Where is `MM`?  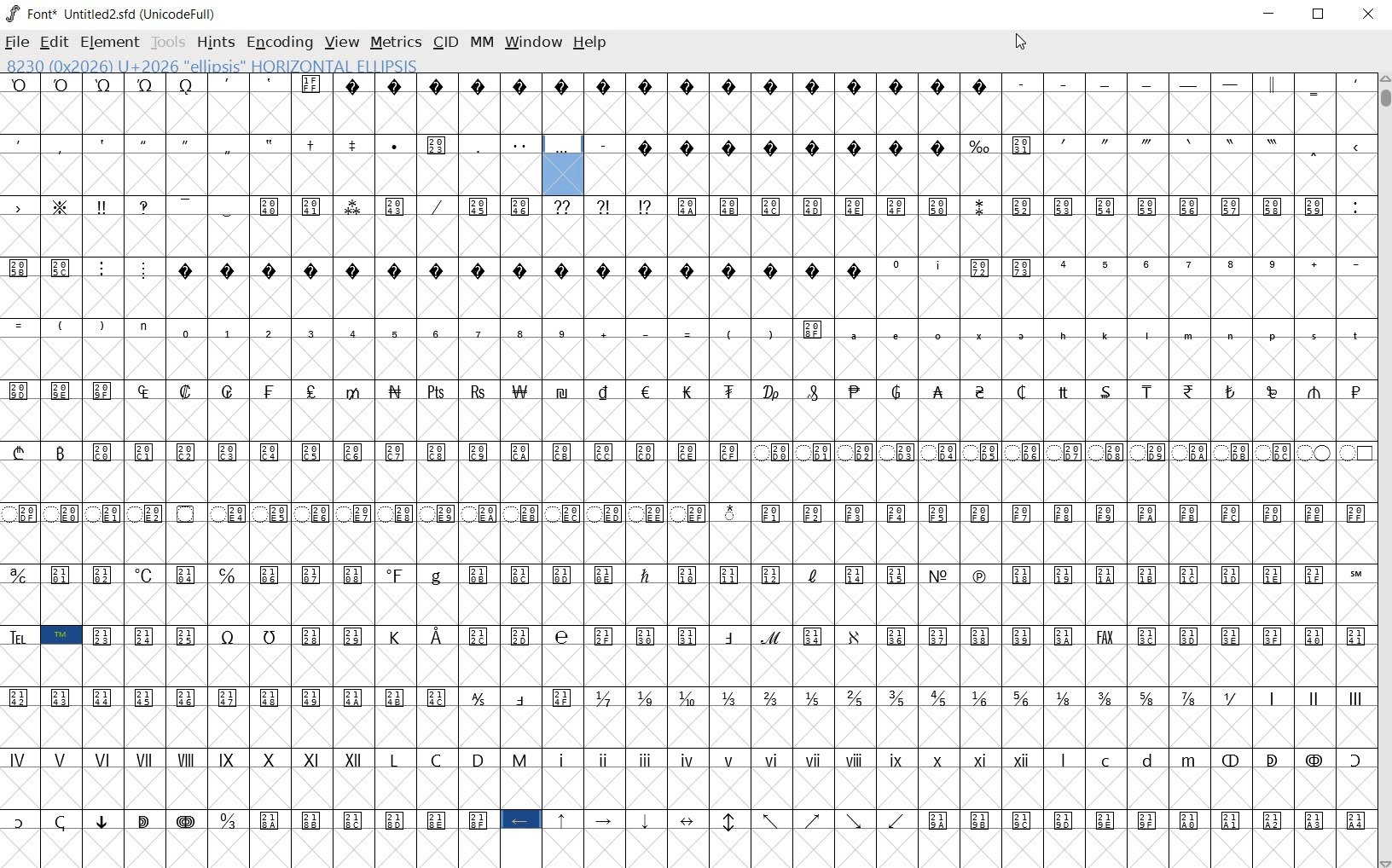 MM is located at coordinates (481, 40).